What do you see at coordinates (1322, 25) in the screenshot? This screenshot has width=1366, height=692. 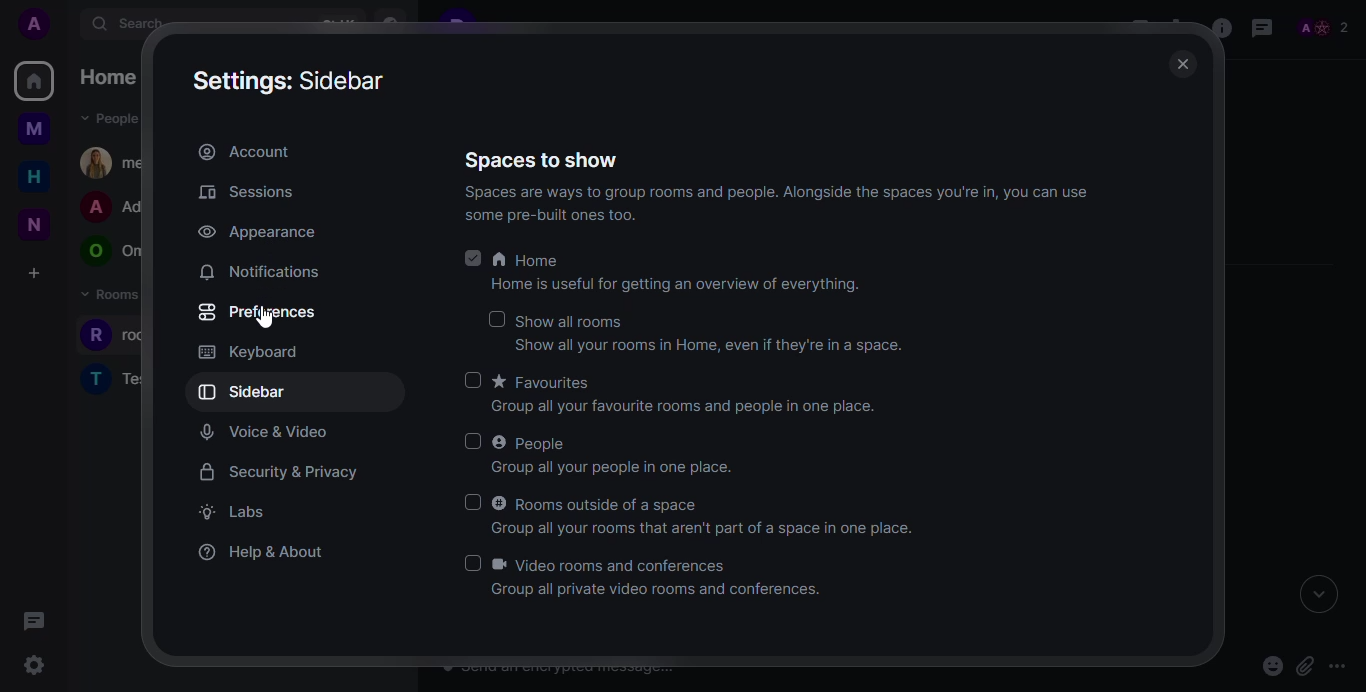 I see `people` at bounding box center [1322, 25].